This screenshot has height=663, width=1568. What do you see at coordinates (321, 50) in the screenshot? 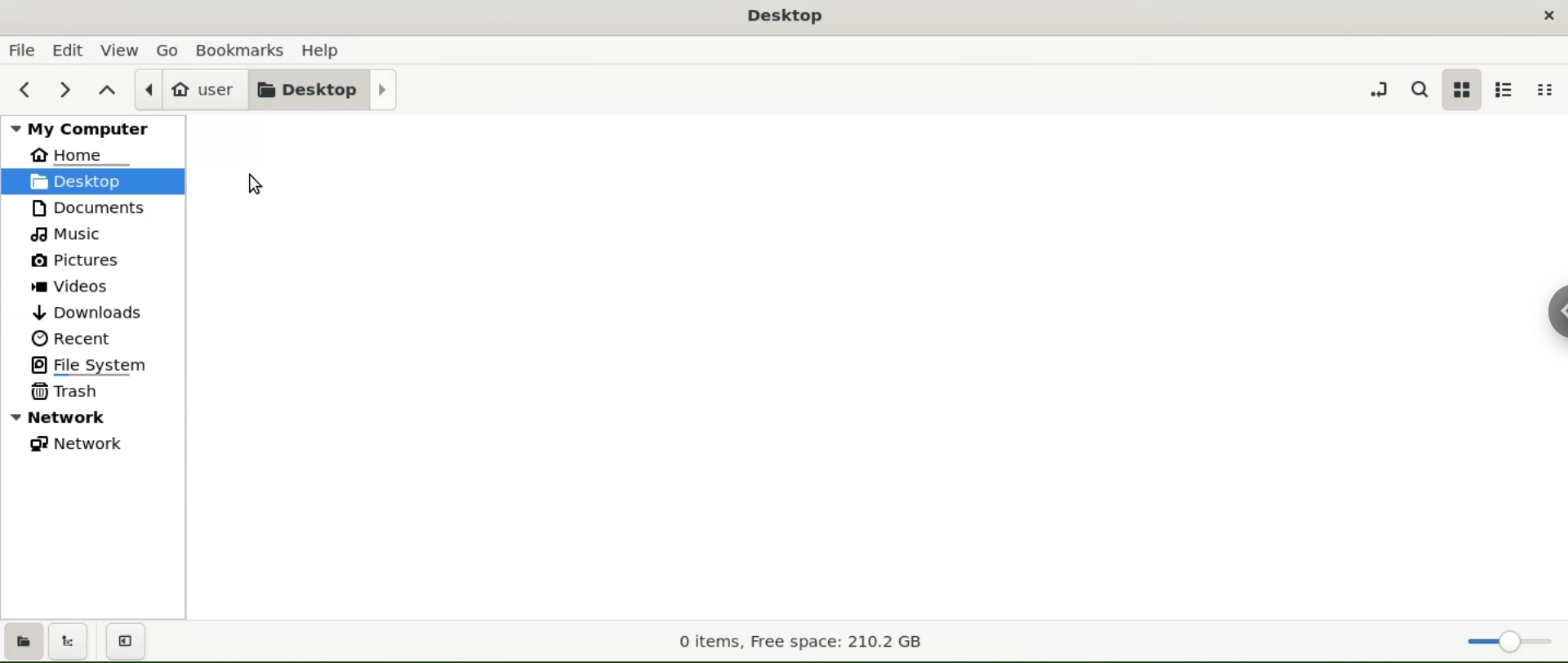
I see `help` at bounding box center [321, 50].